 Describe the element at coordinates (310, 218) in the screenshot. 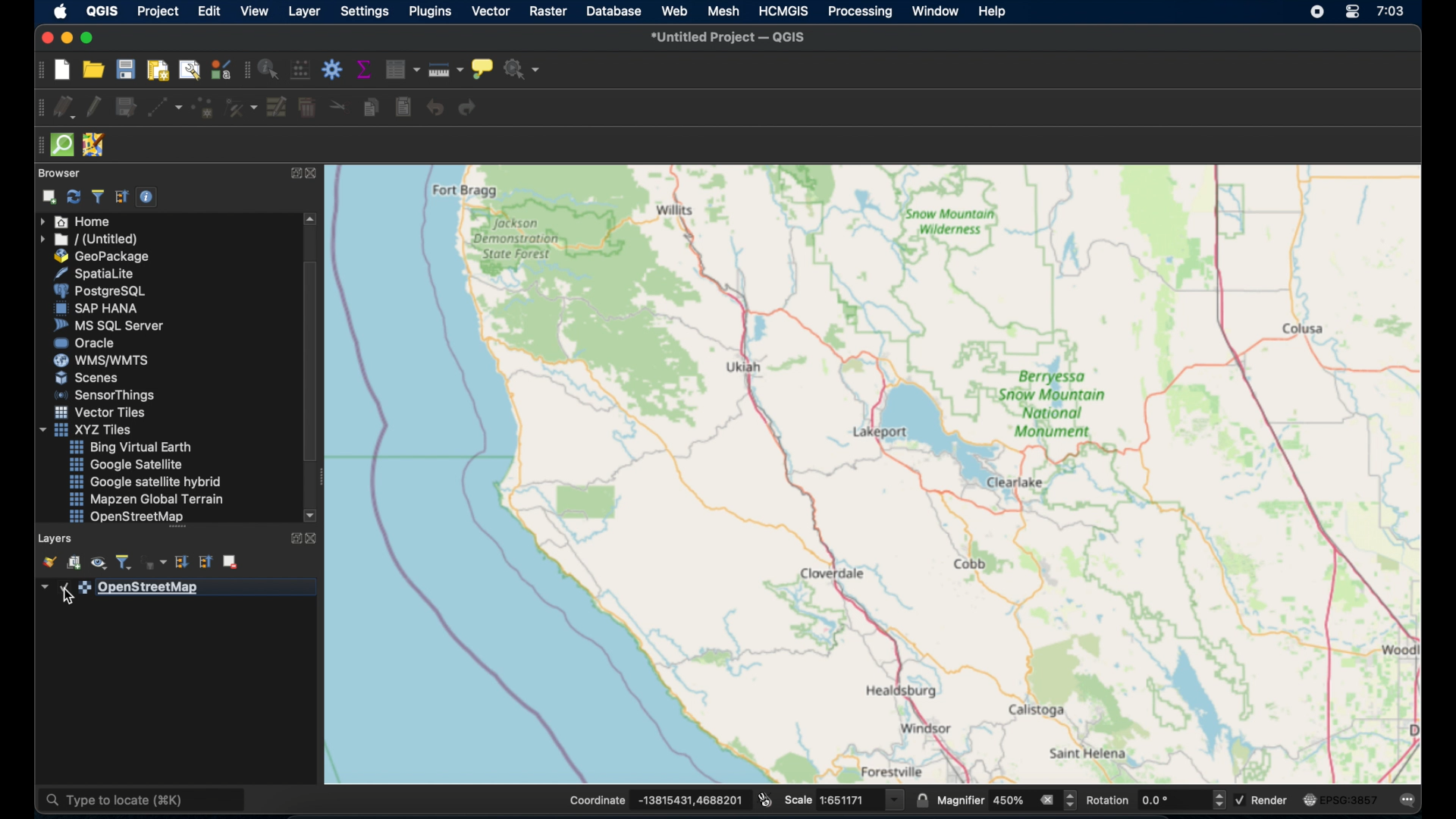

I see `scroll up arrow` at that location.